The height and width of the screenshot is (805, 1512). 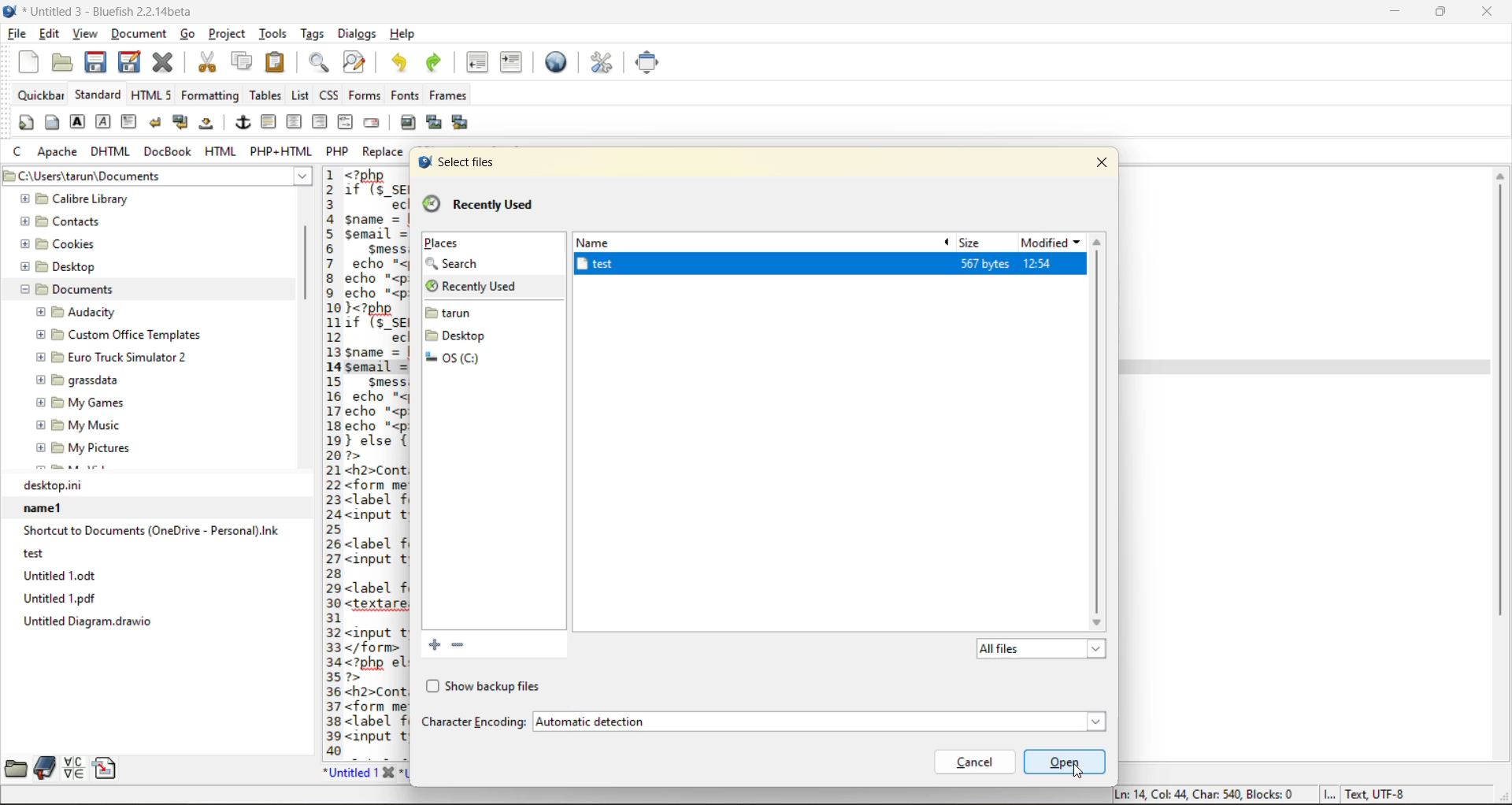 I want to click on untitled 1 tab, so click(x=358, y=772).